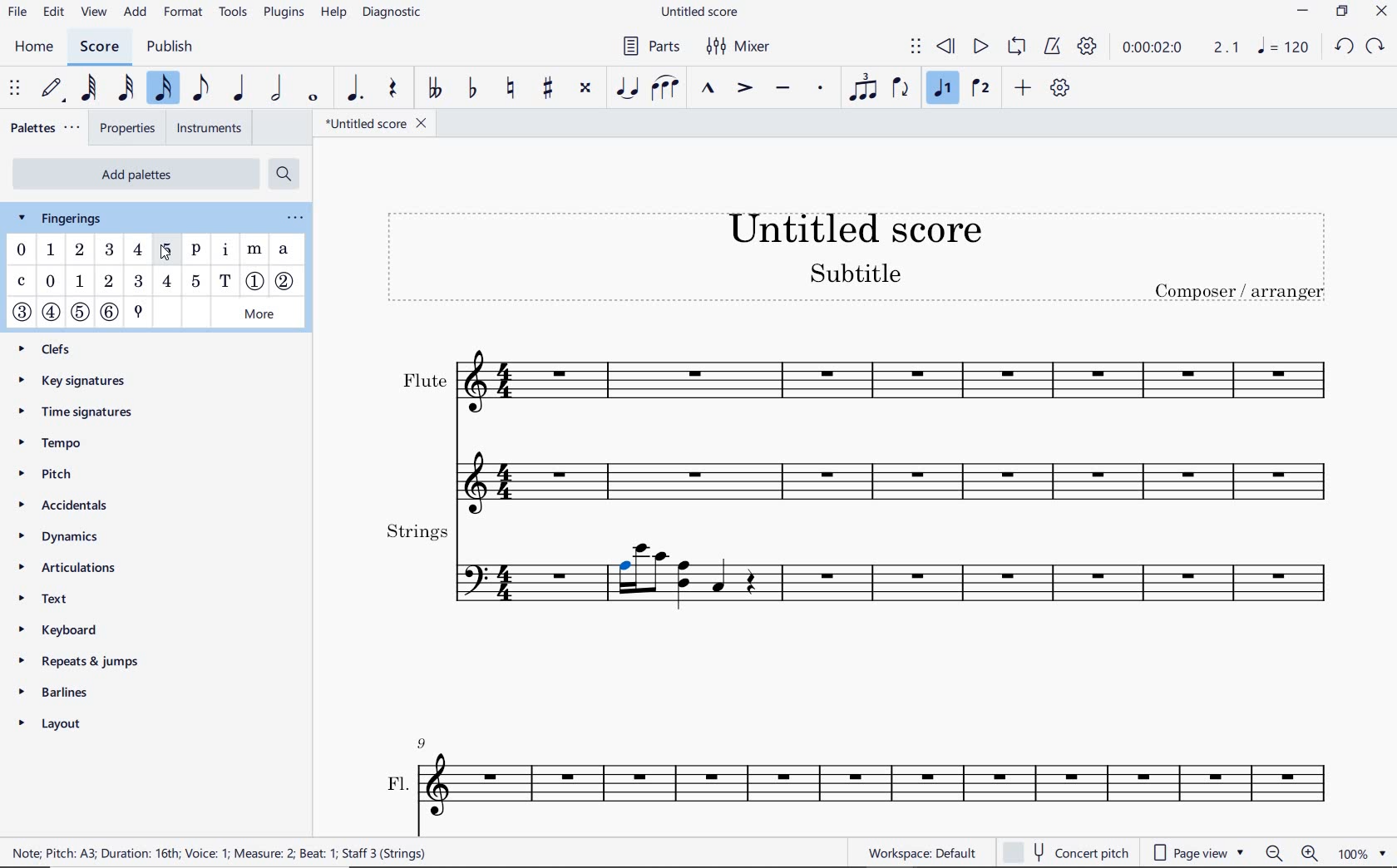 The height and width of the screenshot is (868, 1397). Describe the element at coordinates (256, 248) in the screenshot. I see `RH GUITAR FINGERING M` at that location.